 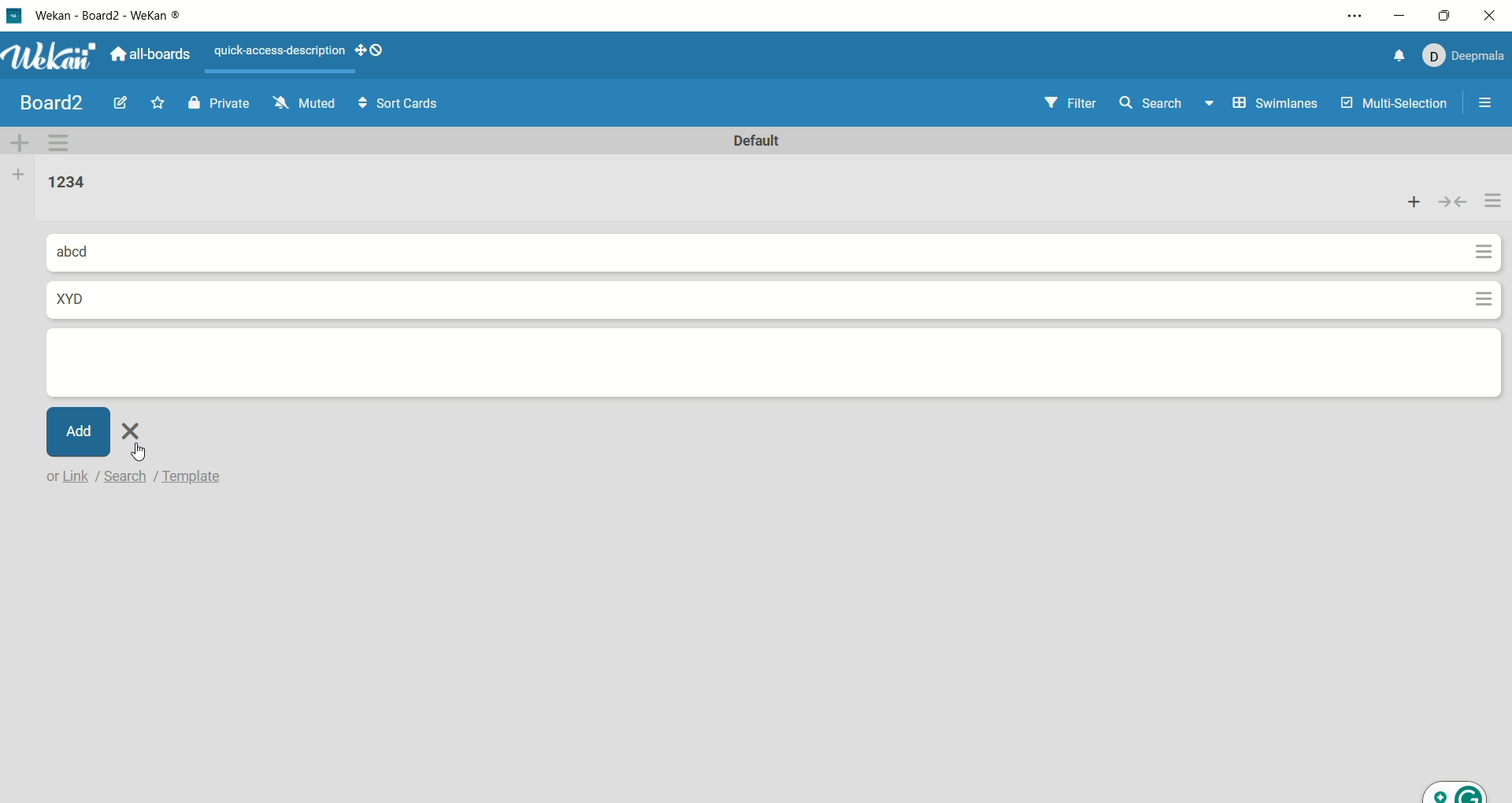 I want to click on close, so click(x=135, y=428).